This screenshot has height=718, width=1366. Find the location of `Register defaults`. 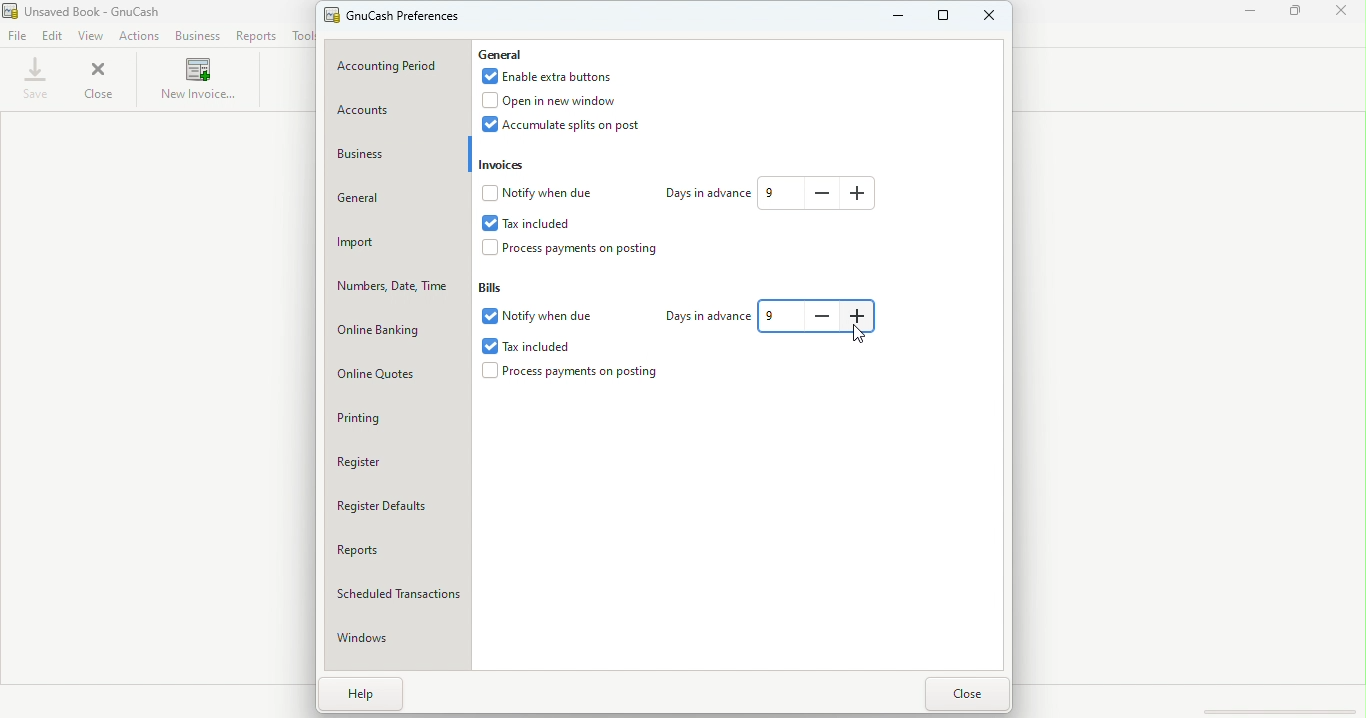

Register defaults is located at coordinates (399, 508).